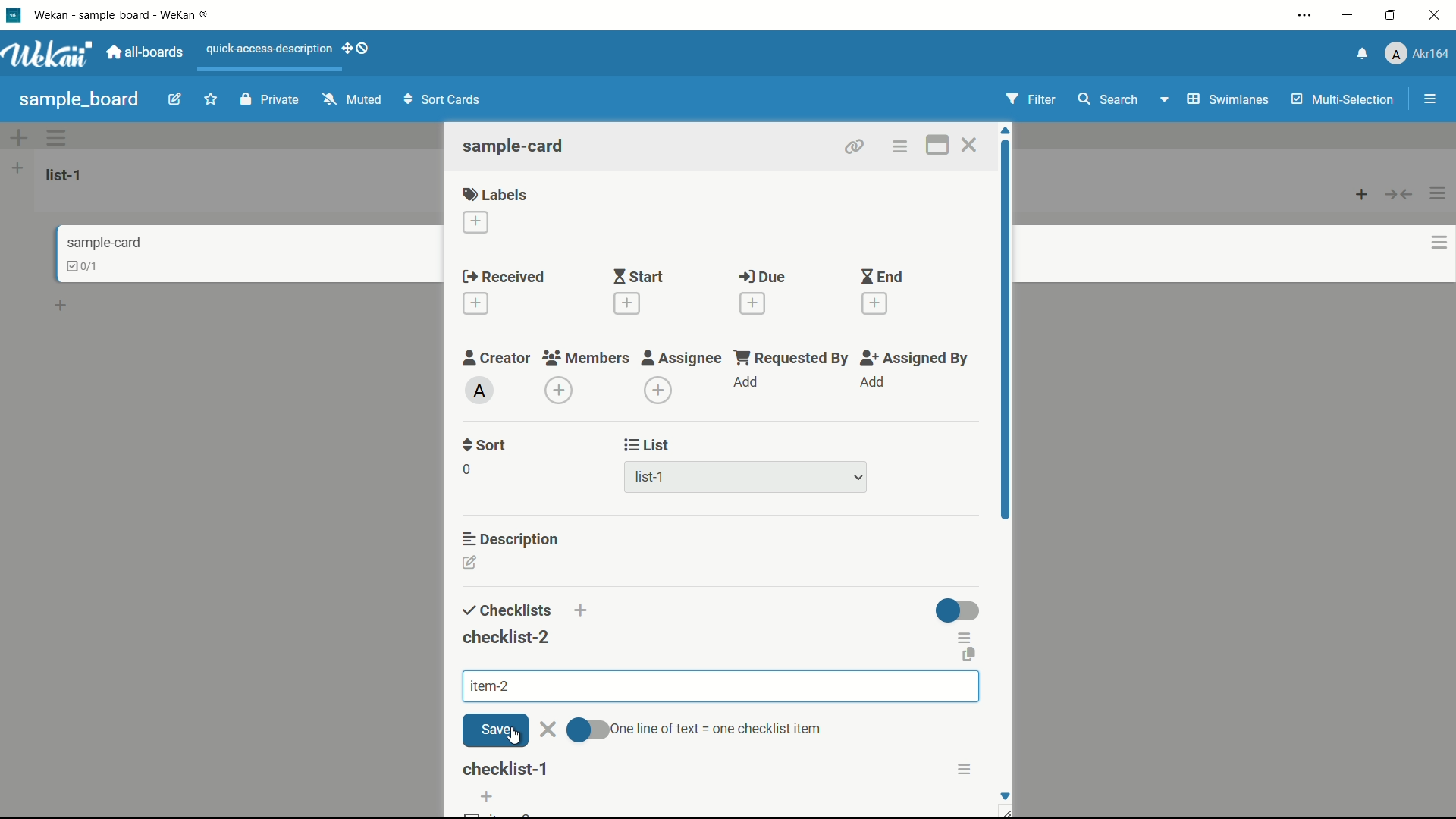  What do you see at coordinates (504, 611) in the screenshot?
I see `checklist` at bounding box center [504, 611].